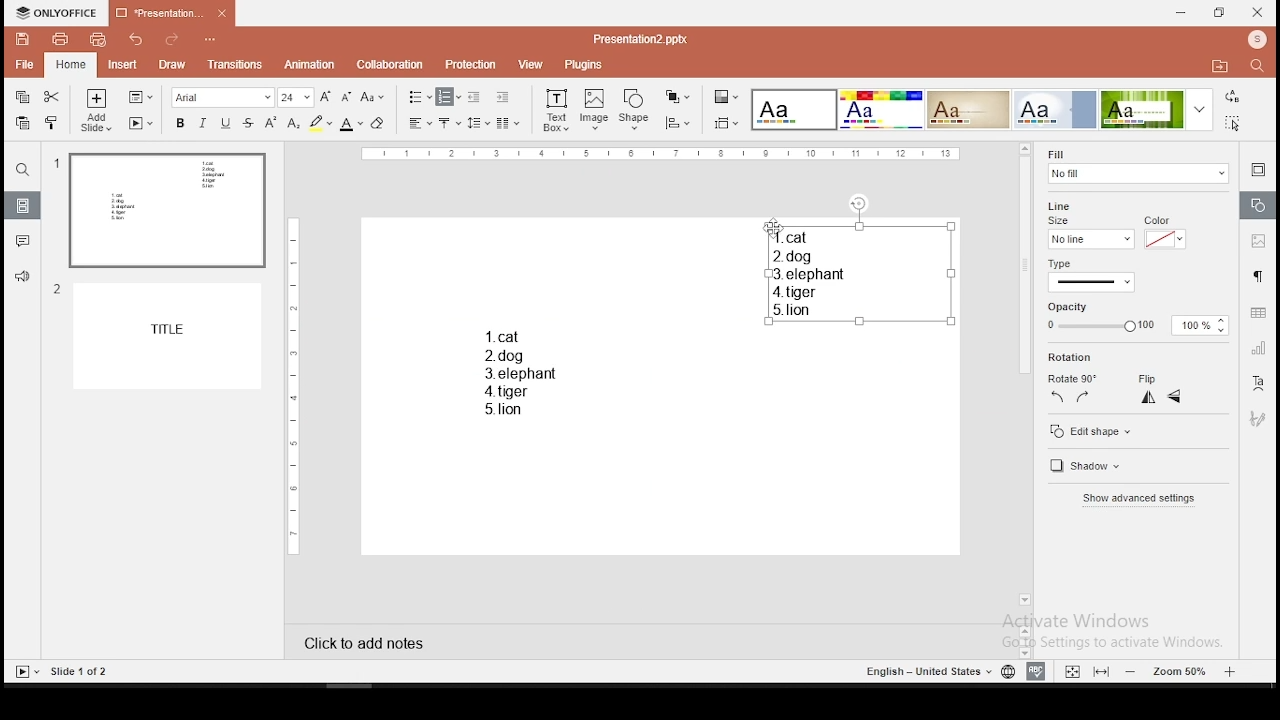  Describe the element at coordinates (344, 95) in the screenshot. I see `decrease font size` at that location.